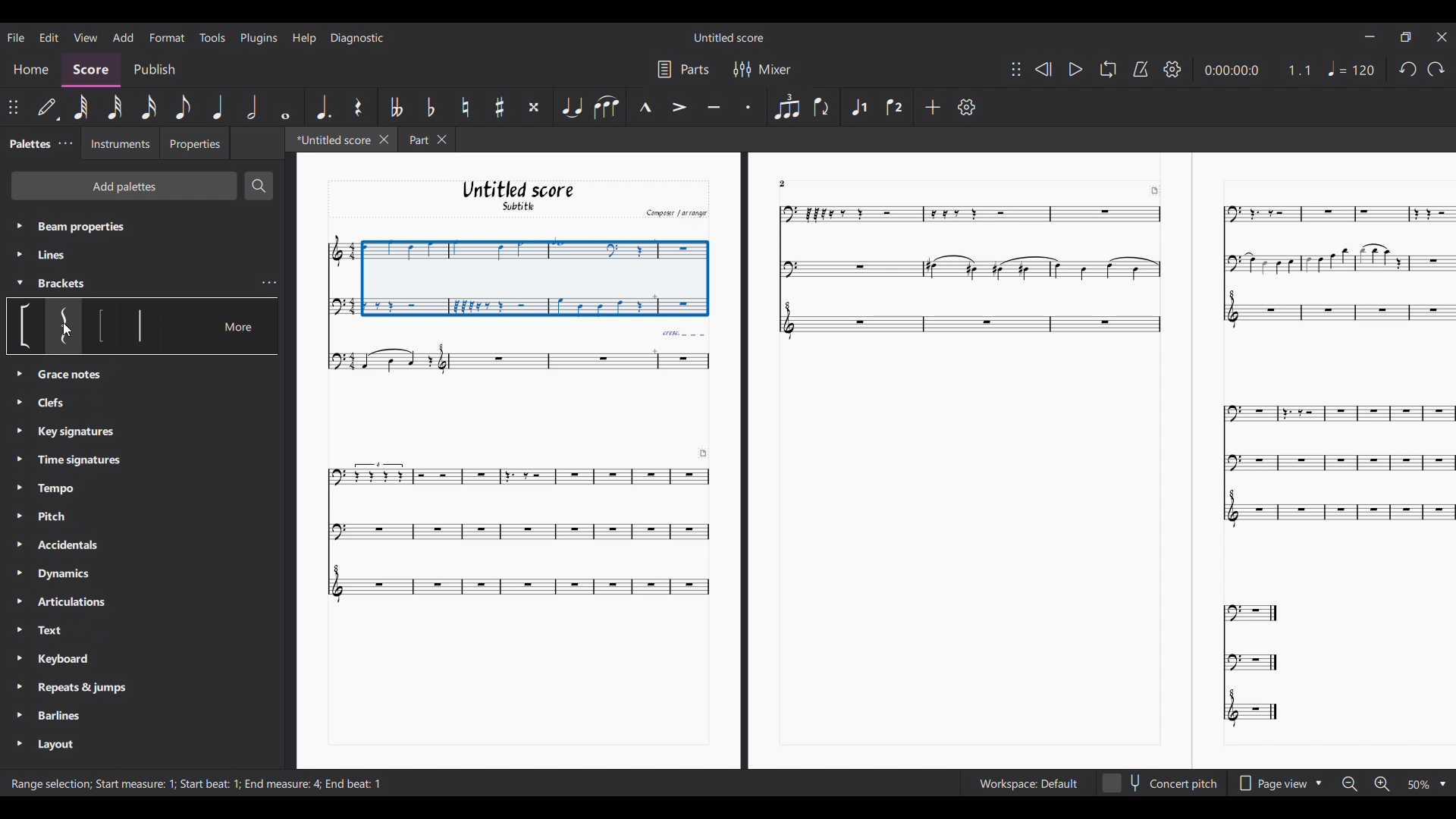 This screenshot has height=819, width=1456. Describe the element at coordinates (1250, 661) in the screenshot. I see `` at that location.